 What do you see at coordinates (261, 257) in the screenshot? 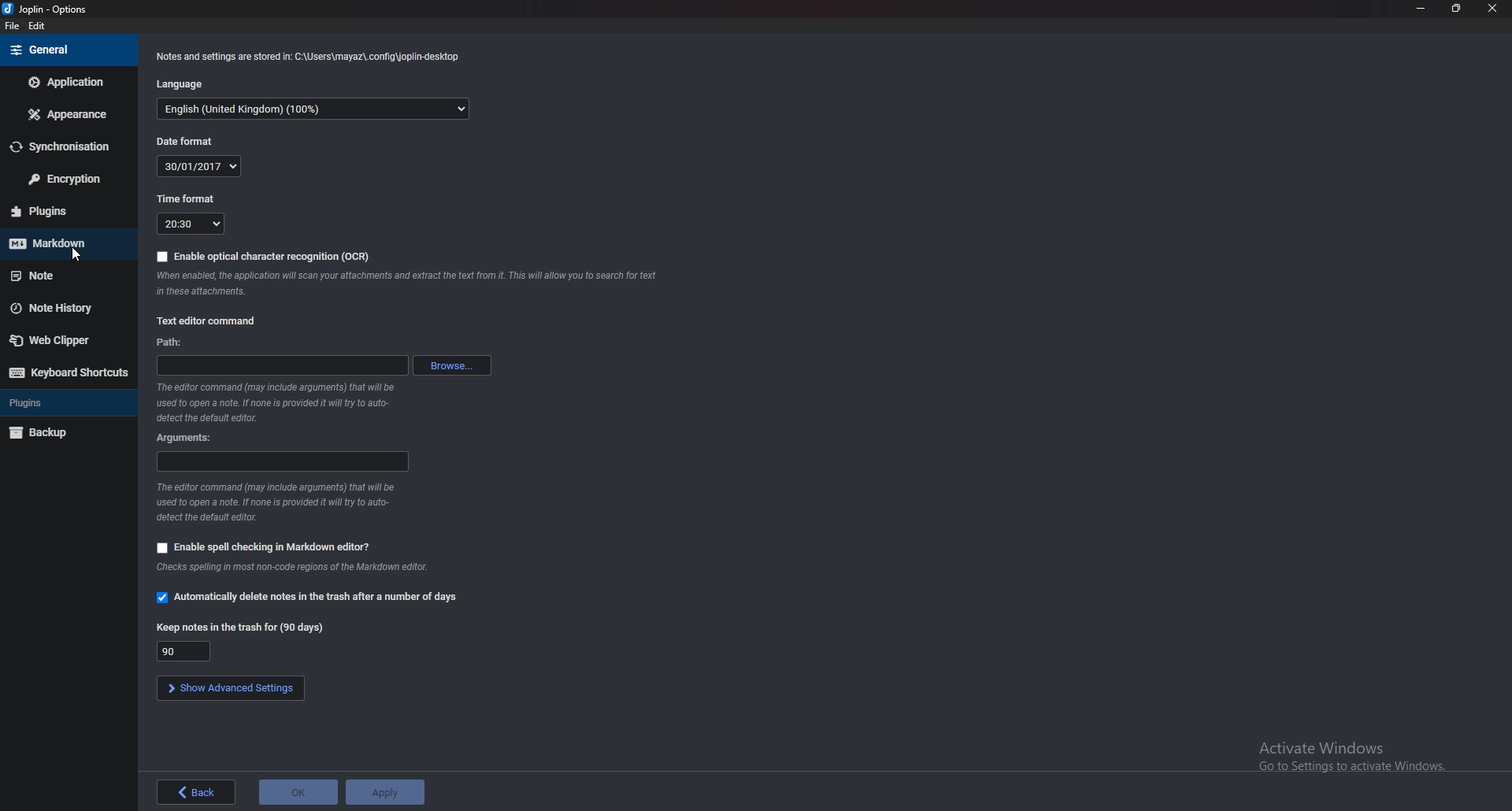
I see `enable O C R` at bounding box center [261, 257].